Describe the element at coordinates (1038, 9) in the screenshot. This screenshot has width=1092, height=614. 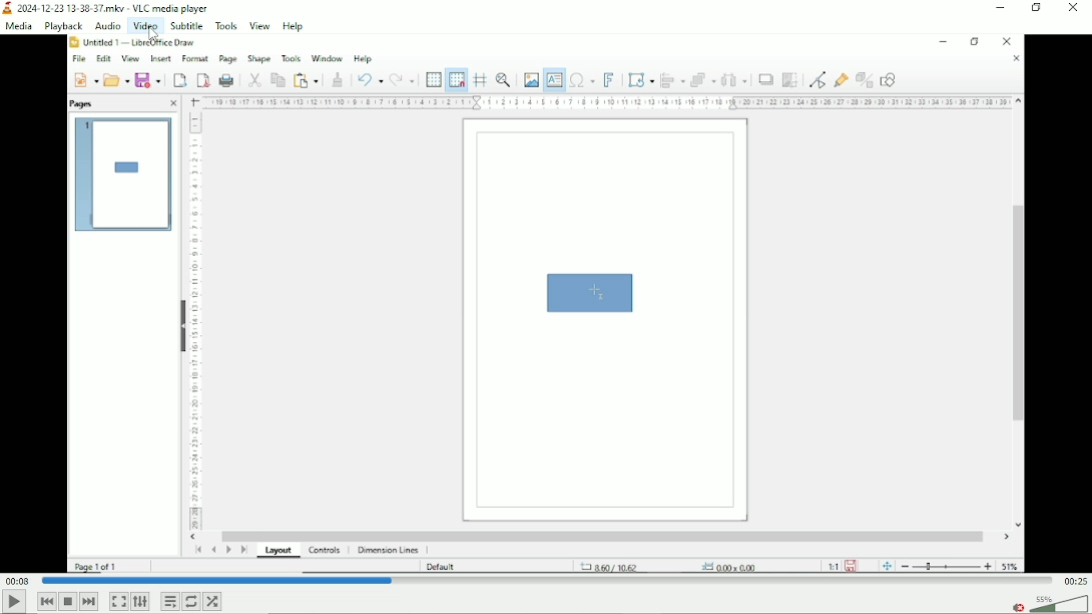
I see `Restore down` at that location.